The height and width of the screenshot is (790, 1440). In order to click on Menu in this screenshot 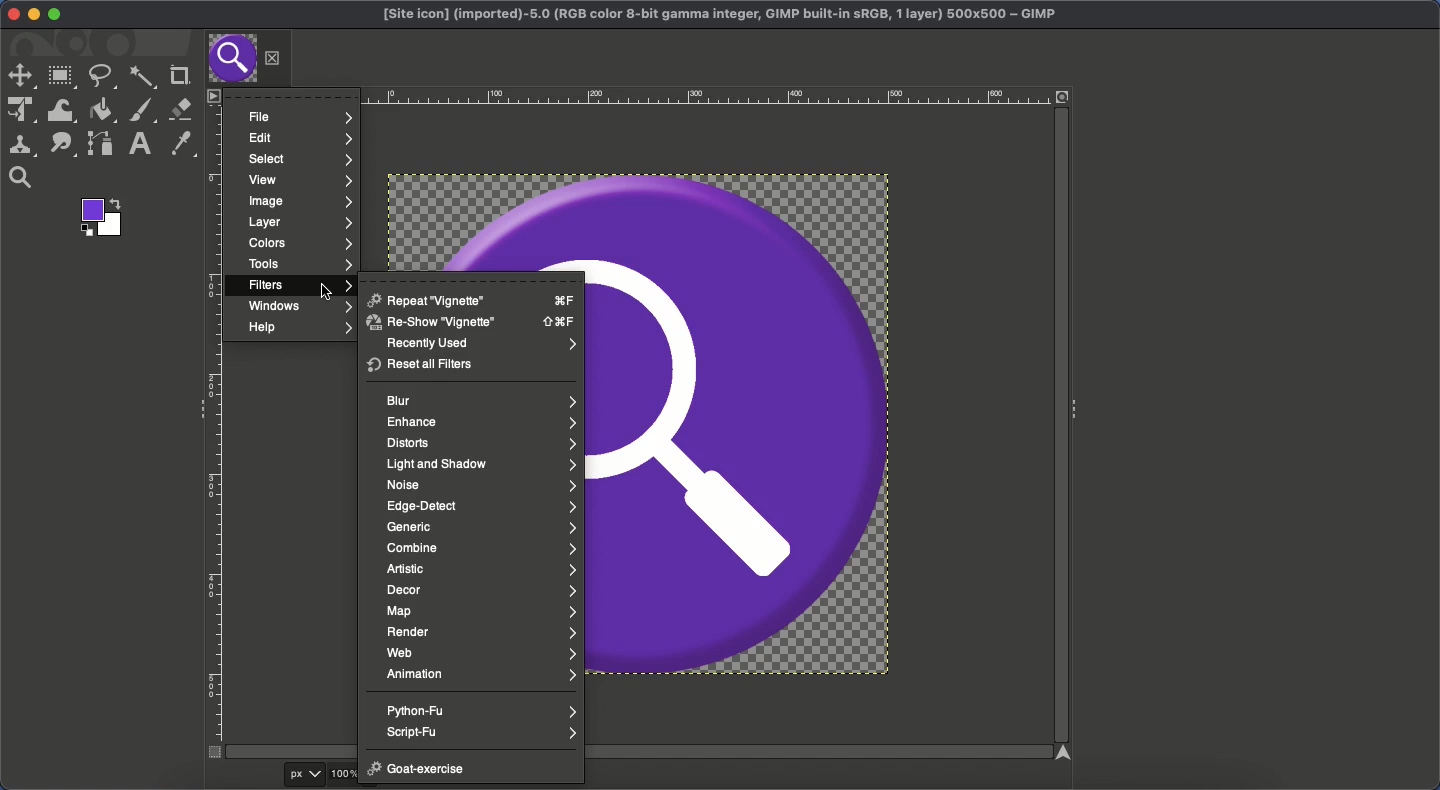, I will do `click(212, 95)`.